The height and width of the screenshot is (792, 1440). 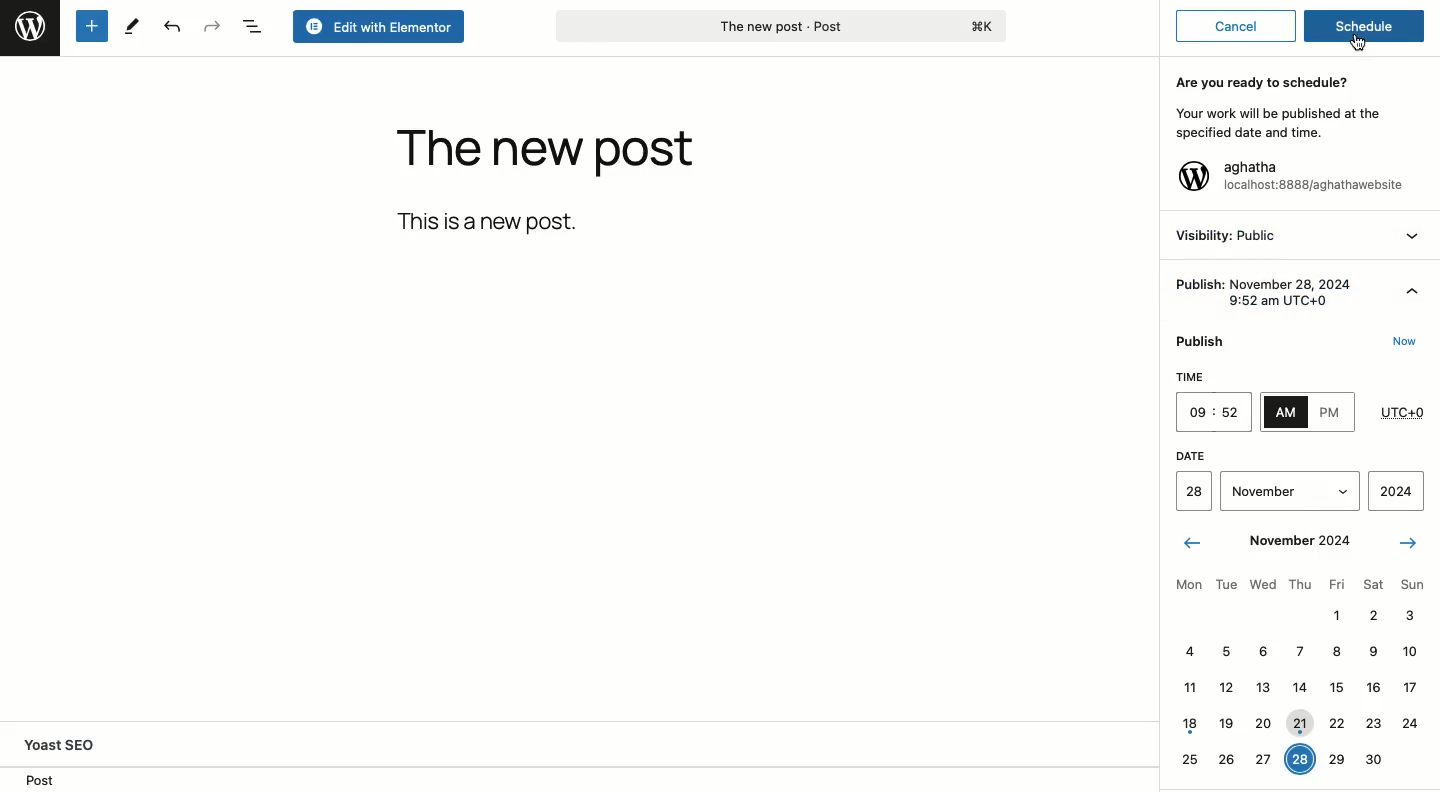 What do you see at coordinates (1262, 686) in the screenshot?
I see `13` at bounding box center [1262, 686].